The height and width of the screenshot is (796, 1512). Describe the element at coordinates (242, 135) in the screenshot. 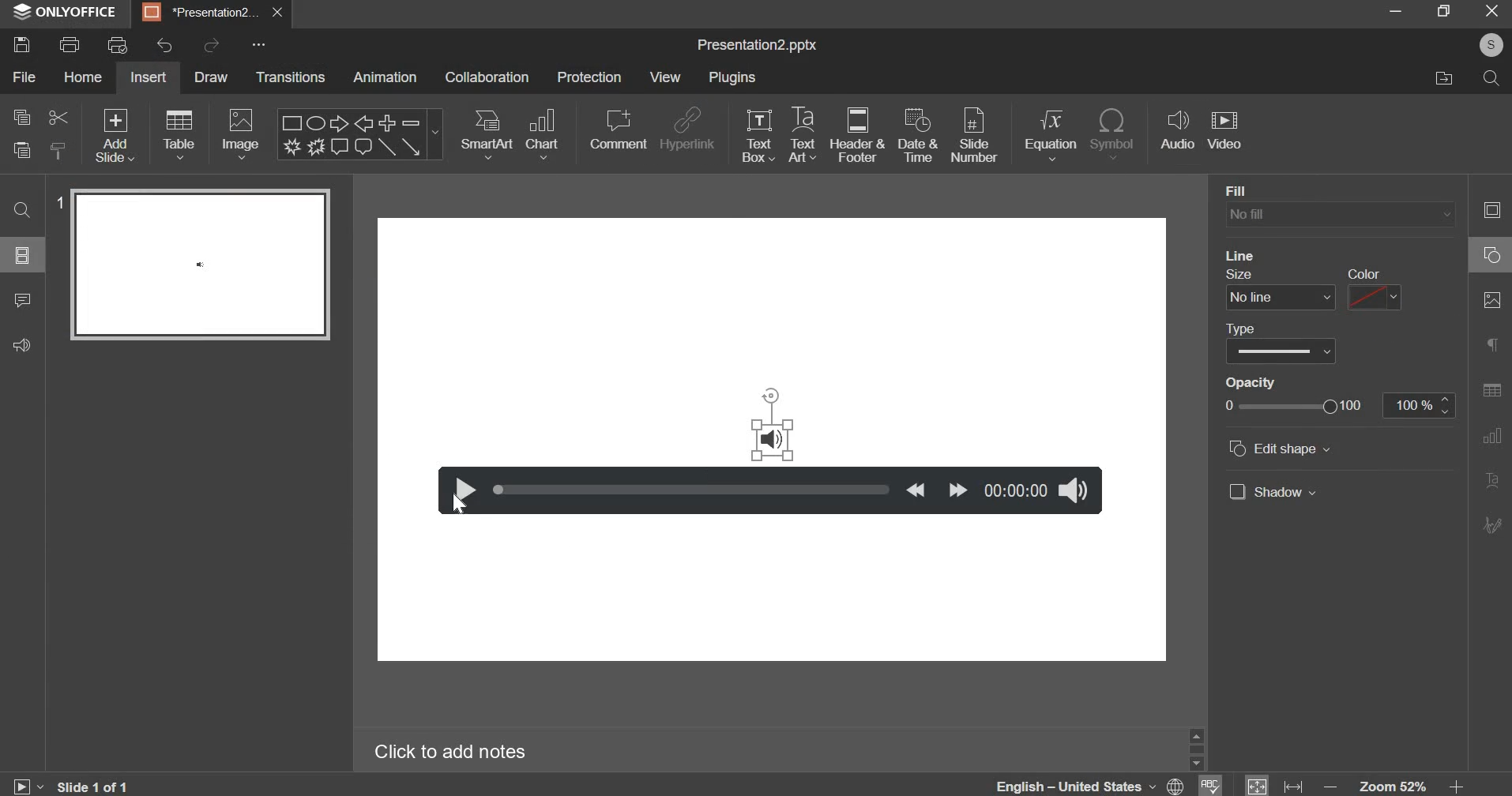

I see `insert image` at that location.